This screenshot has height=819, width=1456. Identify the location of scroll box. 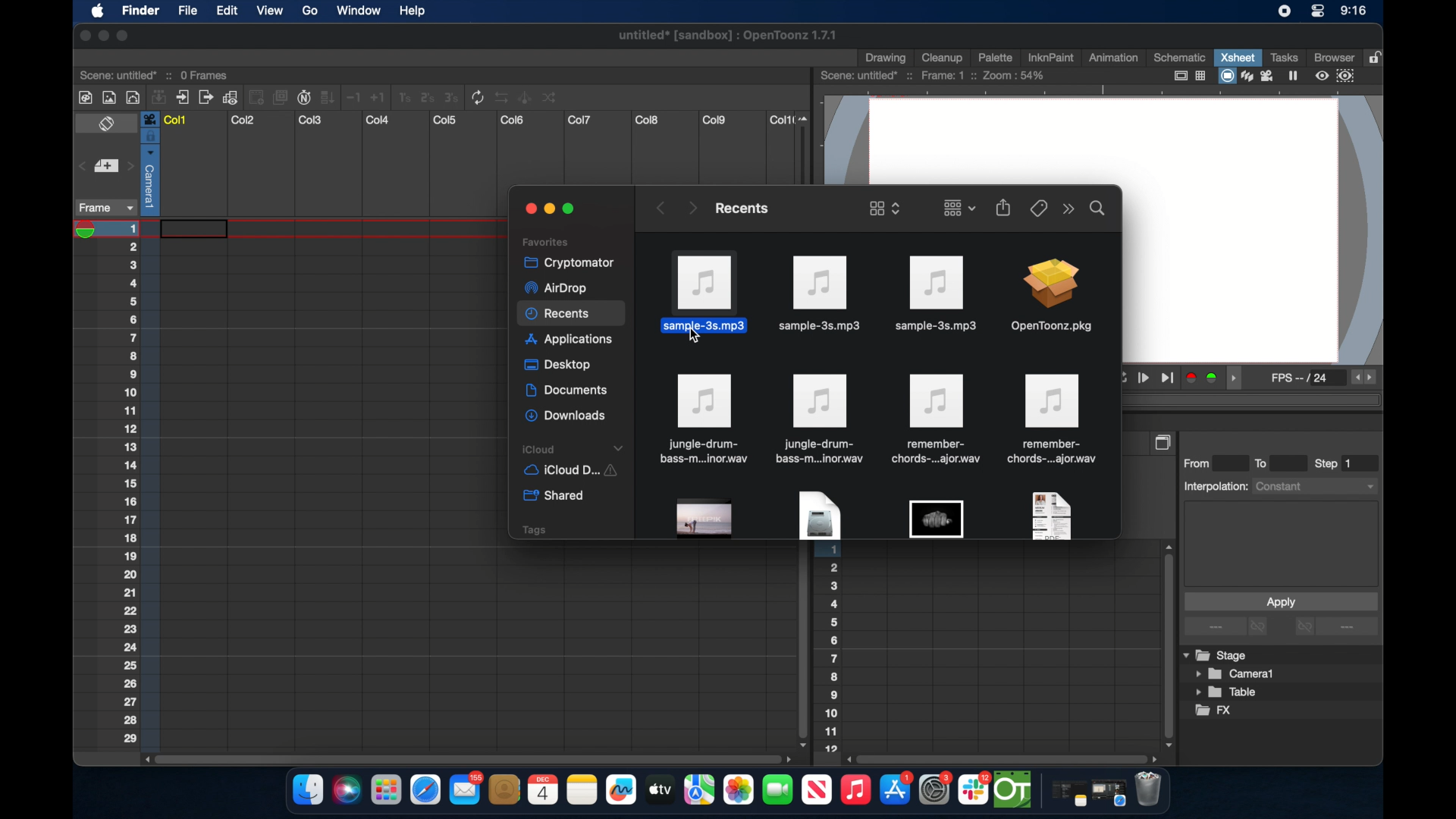
(1004, 758).